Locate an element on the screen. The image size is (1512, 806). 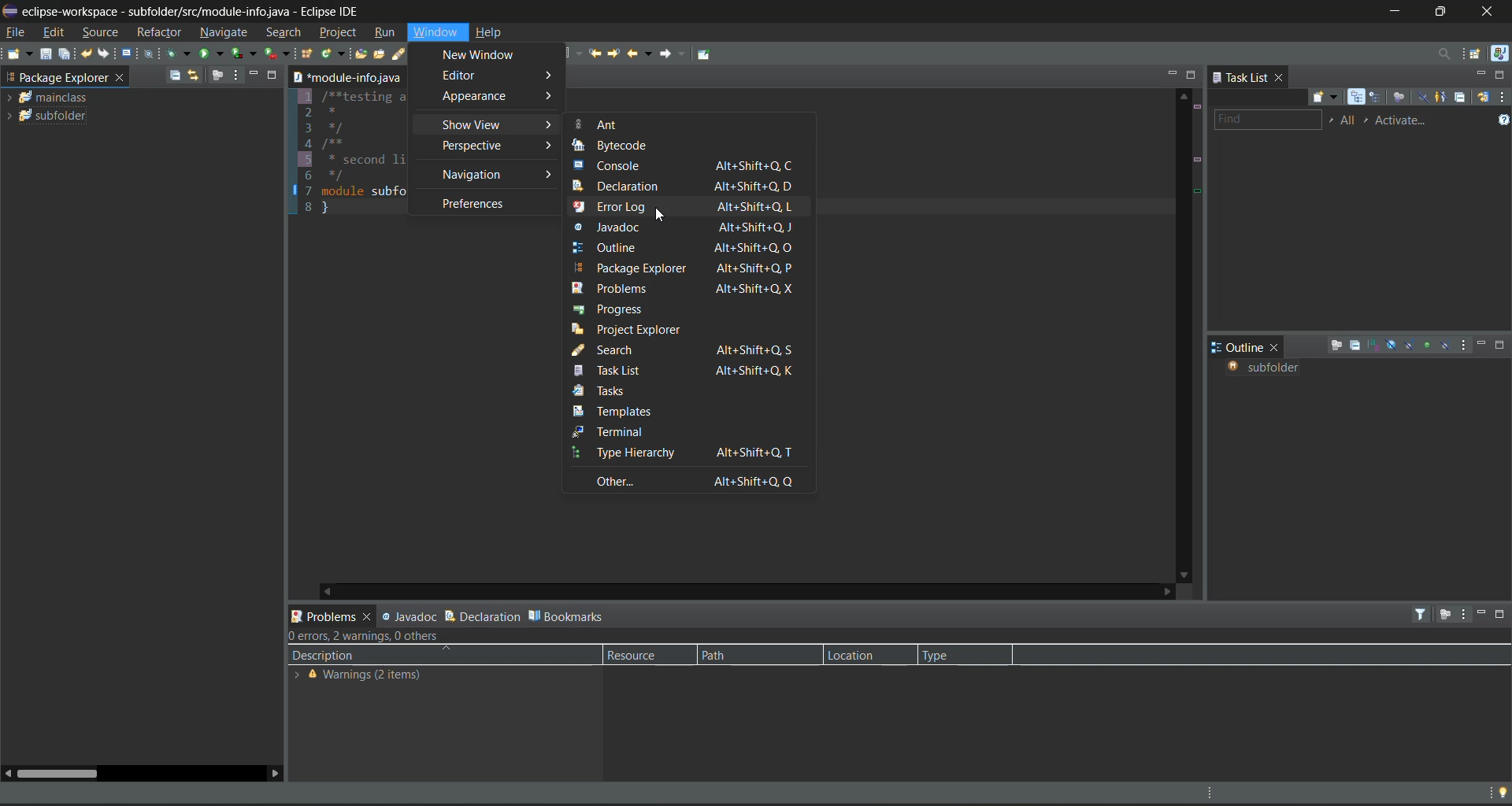
view menu is located at coordinates (1467, 346).